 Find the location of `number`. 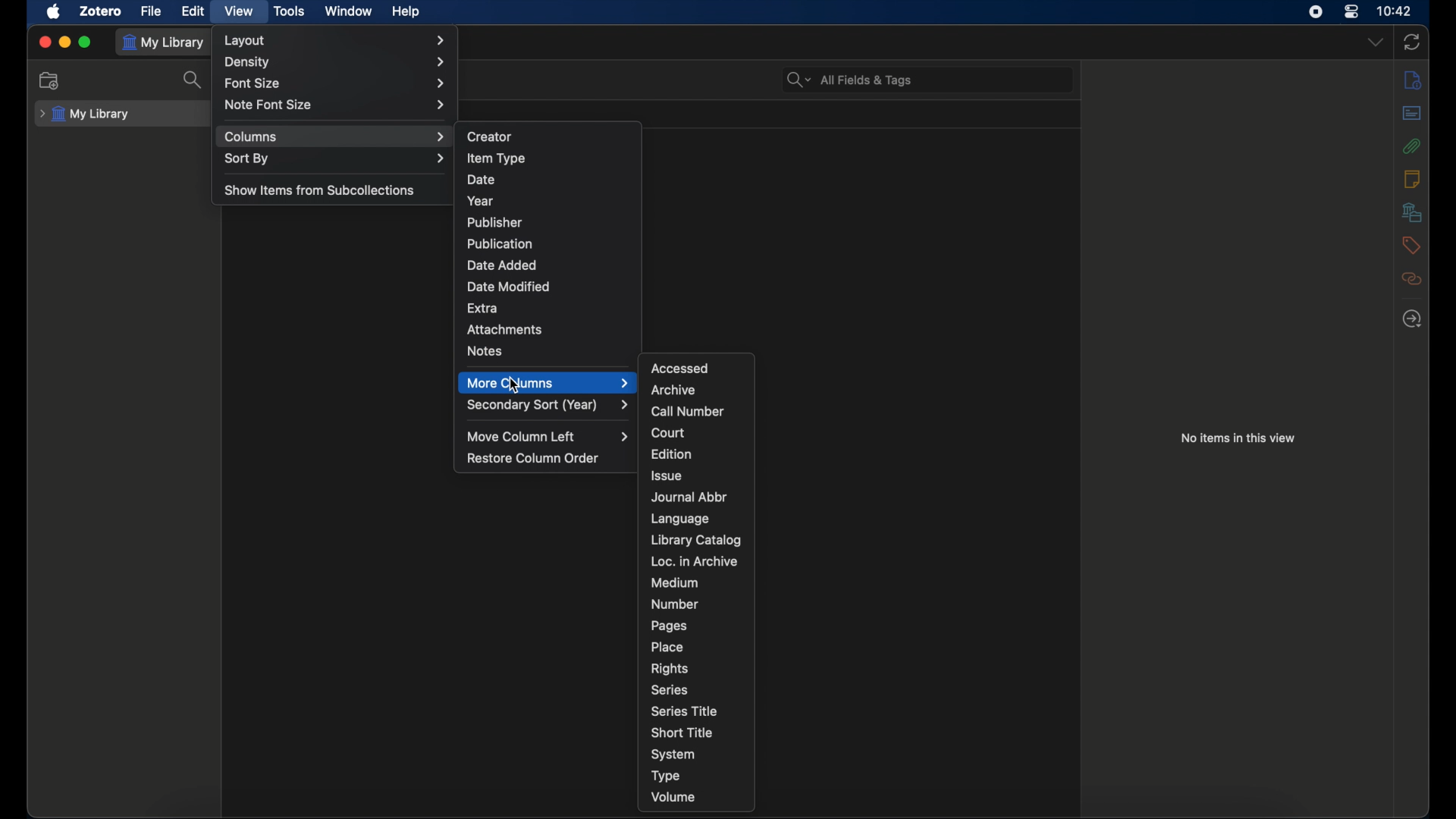

number is located at coordinates (675, 604).